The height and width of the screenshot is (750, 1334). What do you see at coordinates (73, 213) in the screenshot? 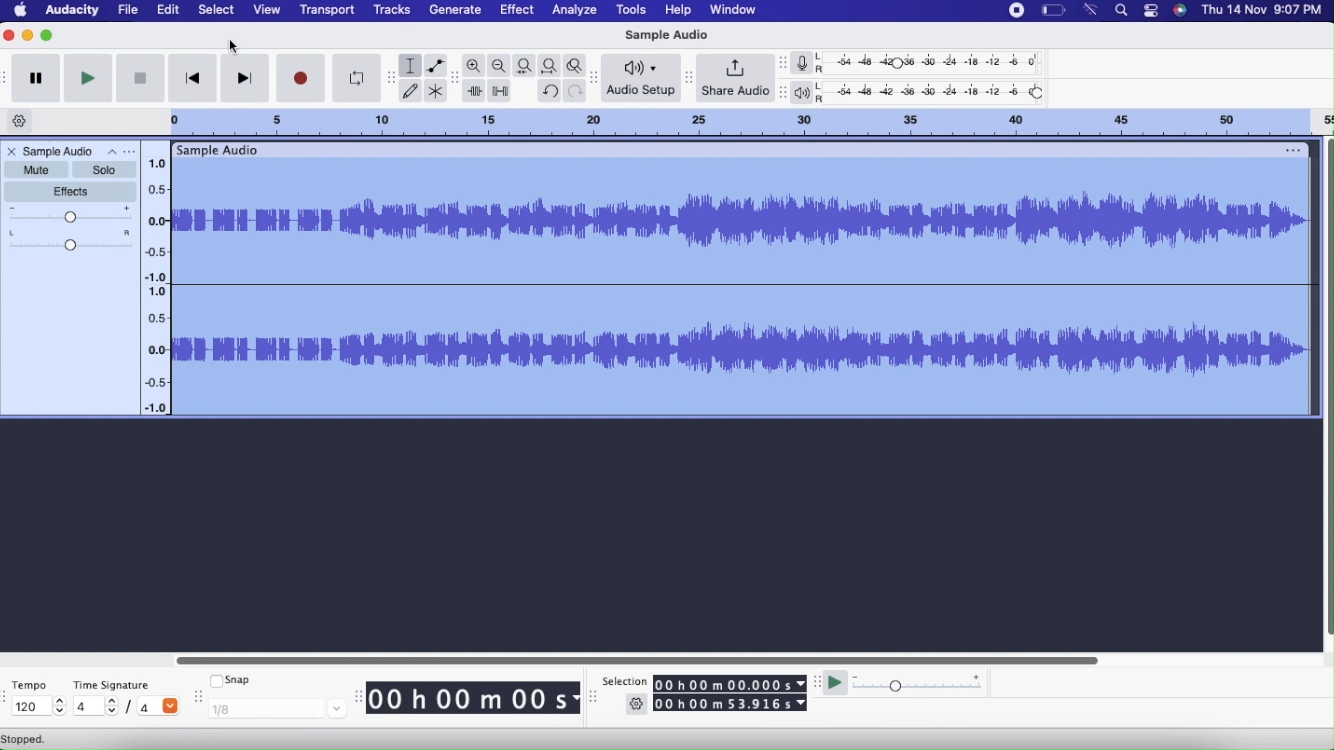
I see `Gain Slider` at bounding box center [73, 213].